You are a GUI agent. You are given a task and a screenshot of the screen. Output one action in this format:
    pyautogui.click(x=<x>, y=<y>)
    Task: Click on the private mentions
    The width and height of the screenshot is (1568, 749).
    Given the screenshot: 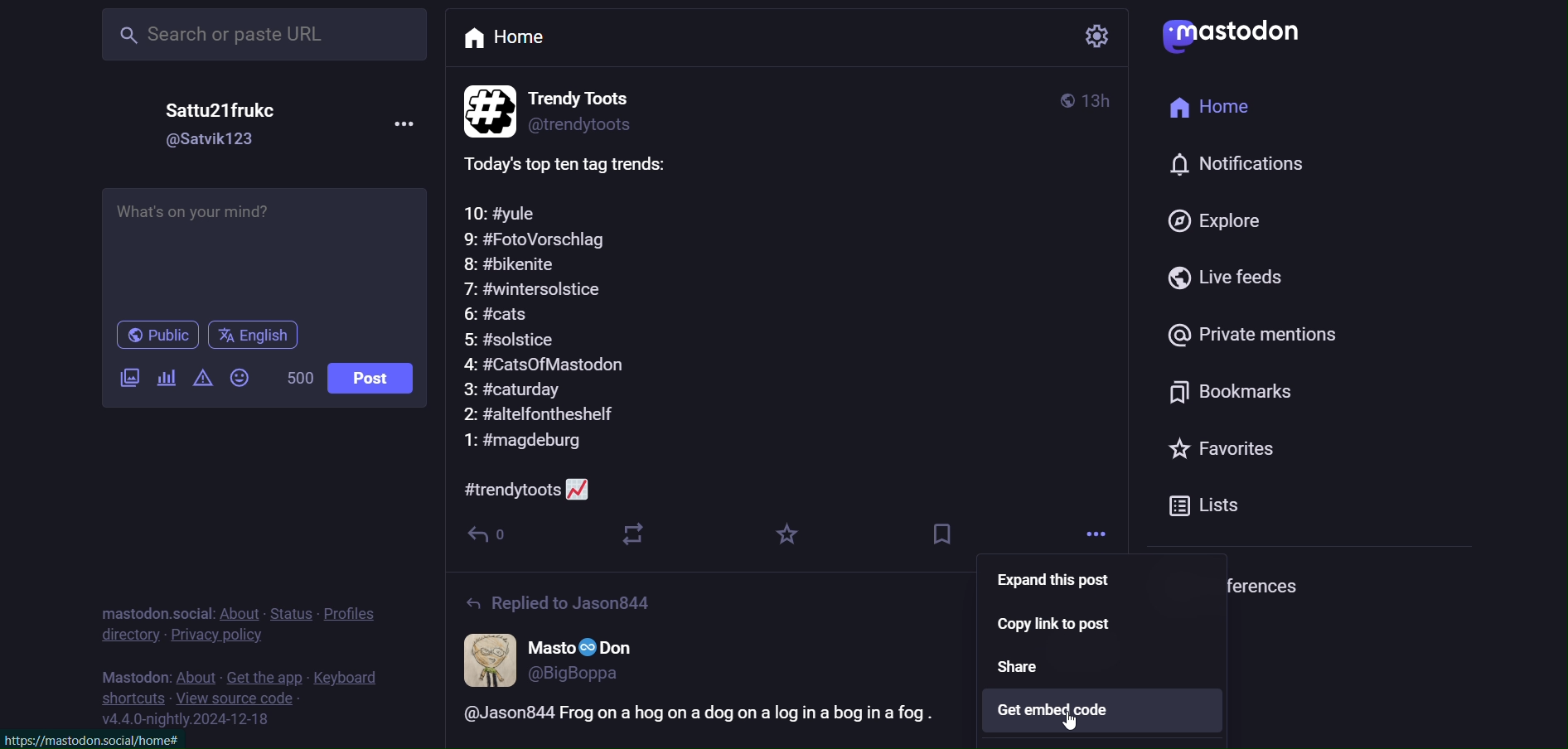 What is the action you would take?
    pyautogui.click(x=1243, y=339)
    